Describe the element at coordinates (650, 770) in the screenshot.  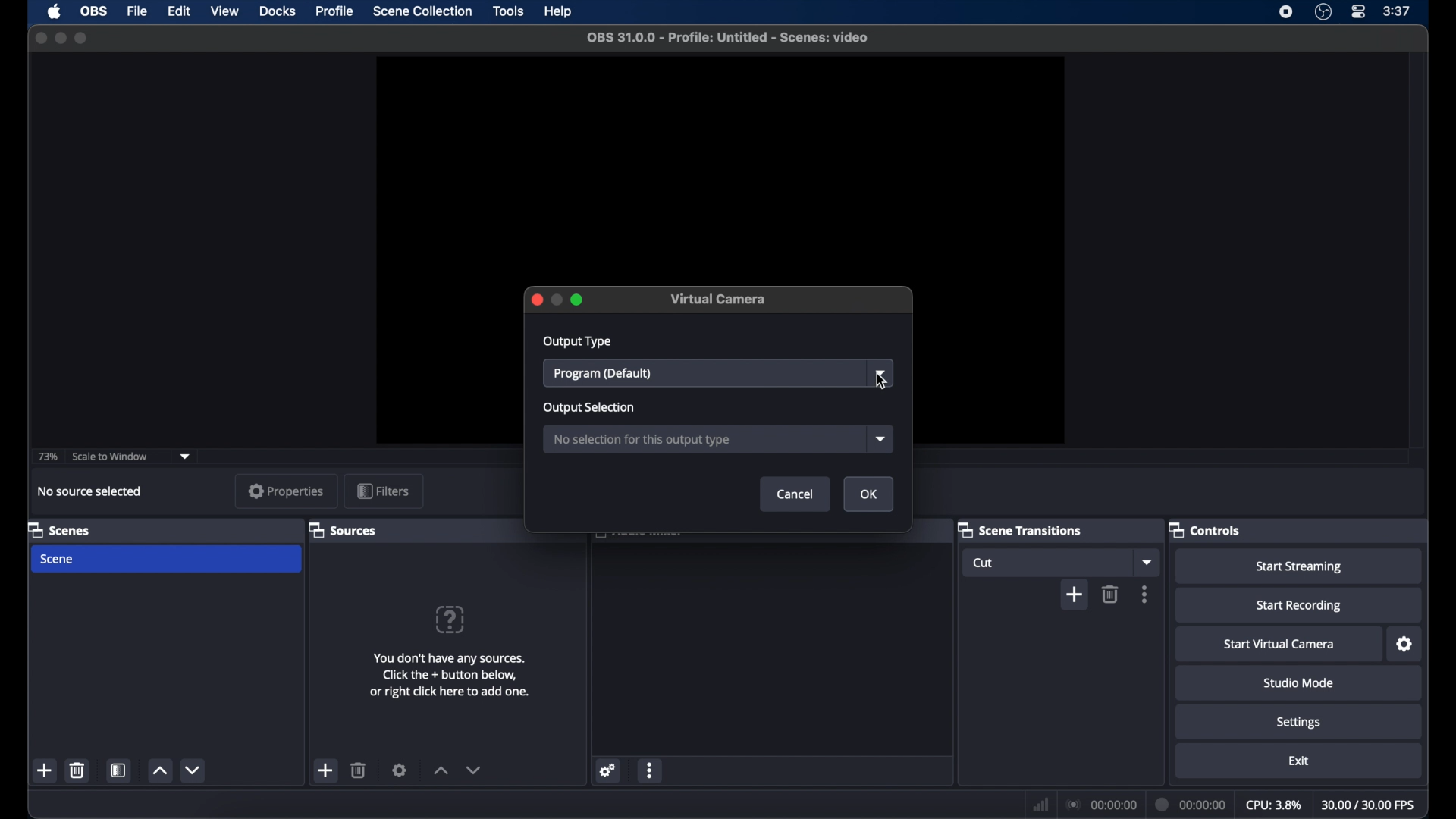
I see `more options` at that location.